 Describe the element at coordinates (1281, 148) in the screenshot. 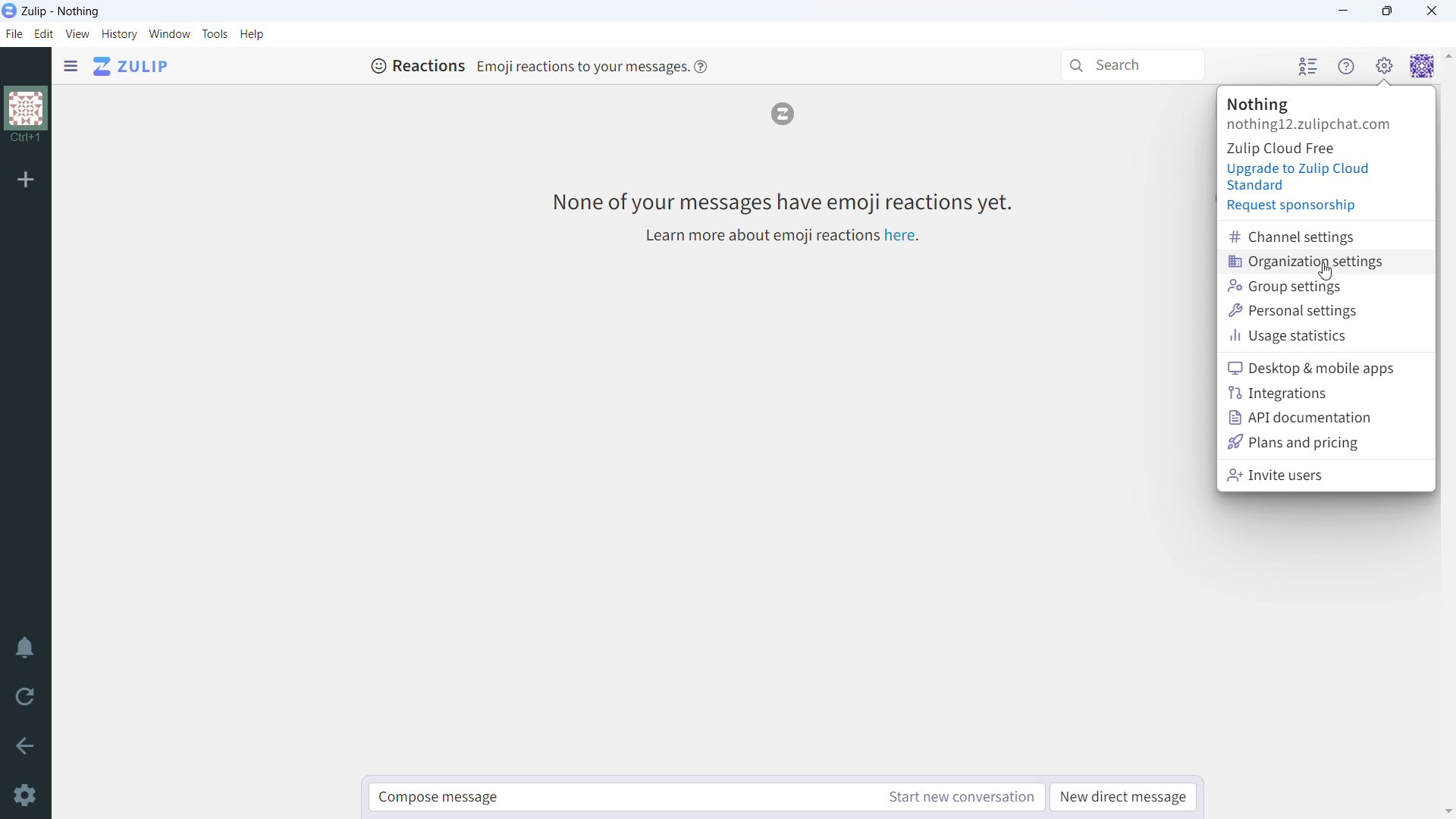

I see `upgrade` at that location.